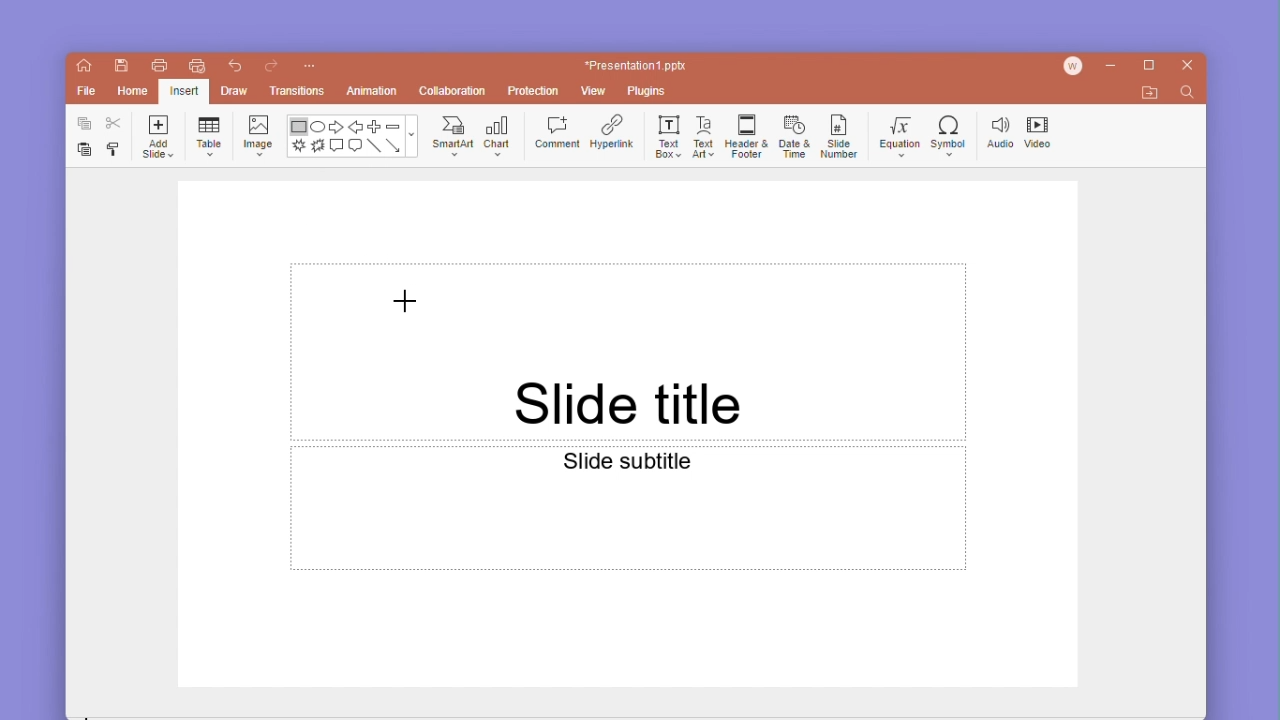 The image size is (1280, 720). Describe the element at coordinates (110, 125) in the screenshot. I see `cut` at that location.